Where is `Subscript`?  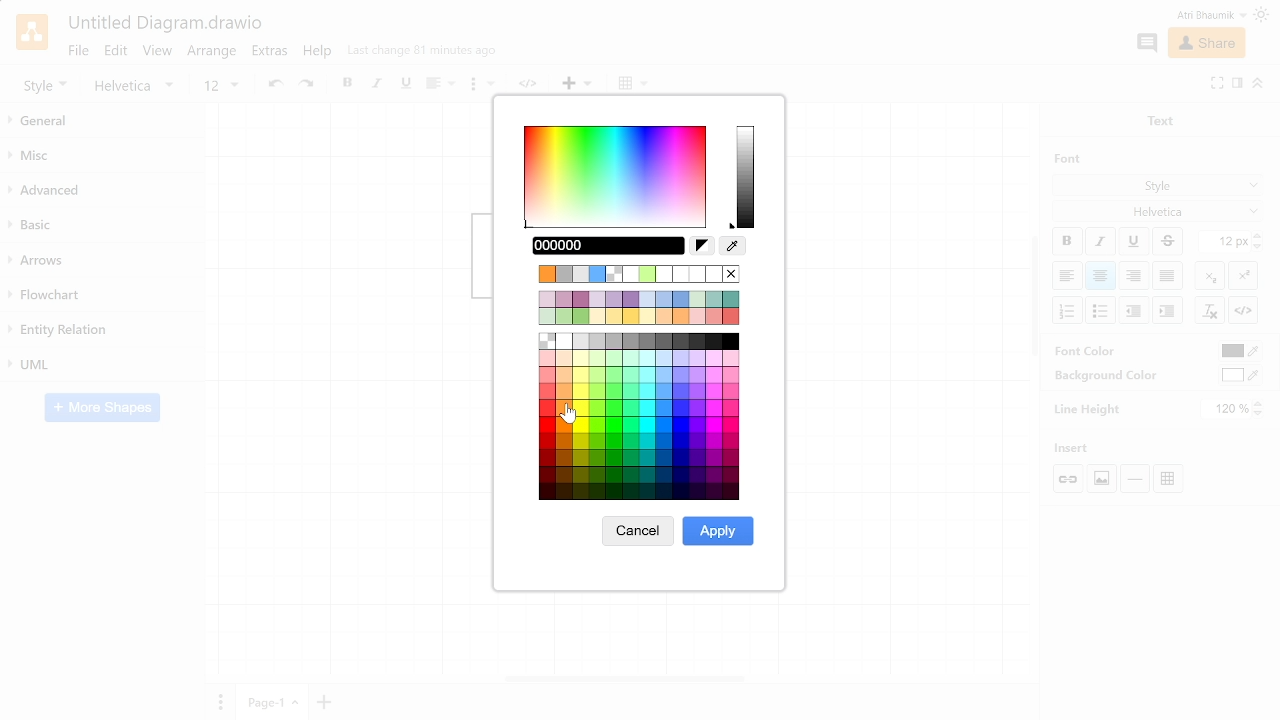
Subscript is located at coordinates (1210, 275).